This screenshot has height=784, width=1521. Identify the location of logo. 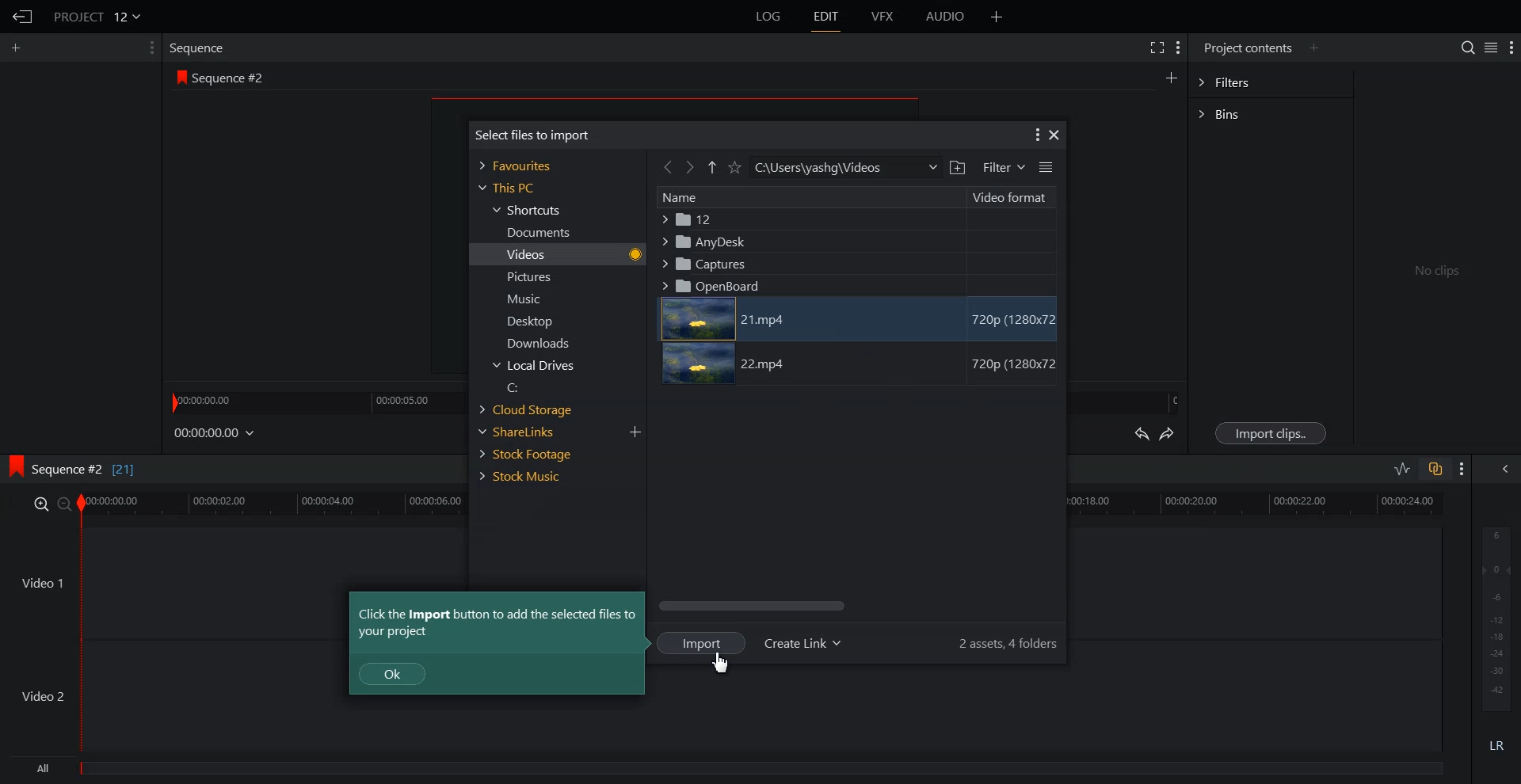
(13, 468).